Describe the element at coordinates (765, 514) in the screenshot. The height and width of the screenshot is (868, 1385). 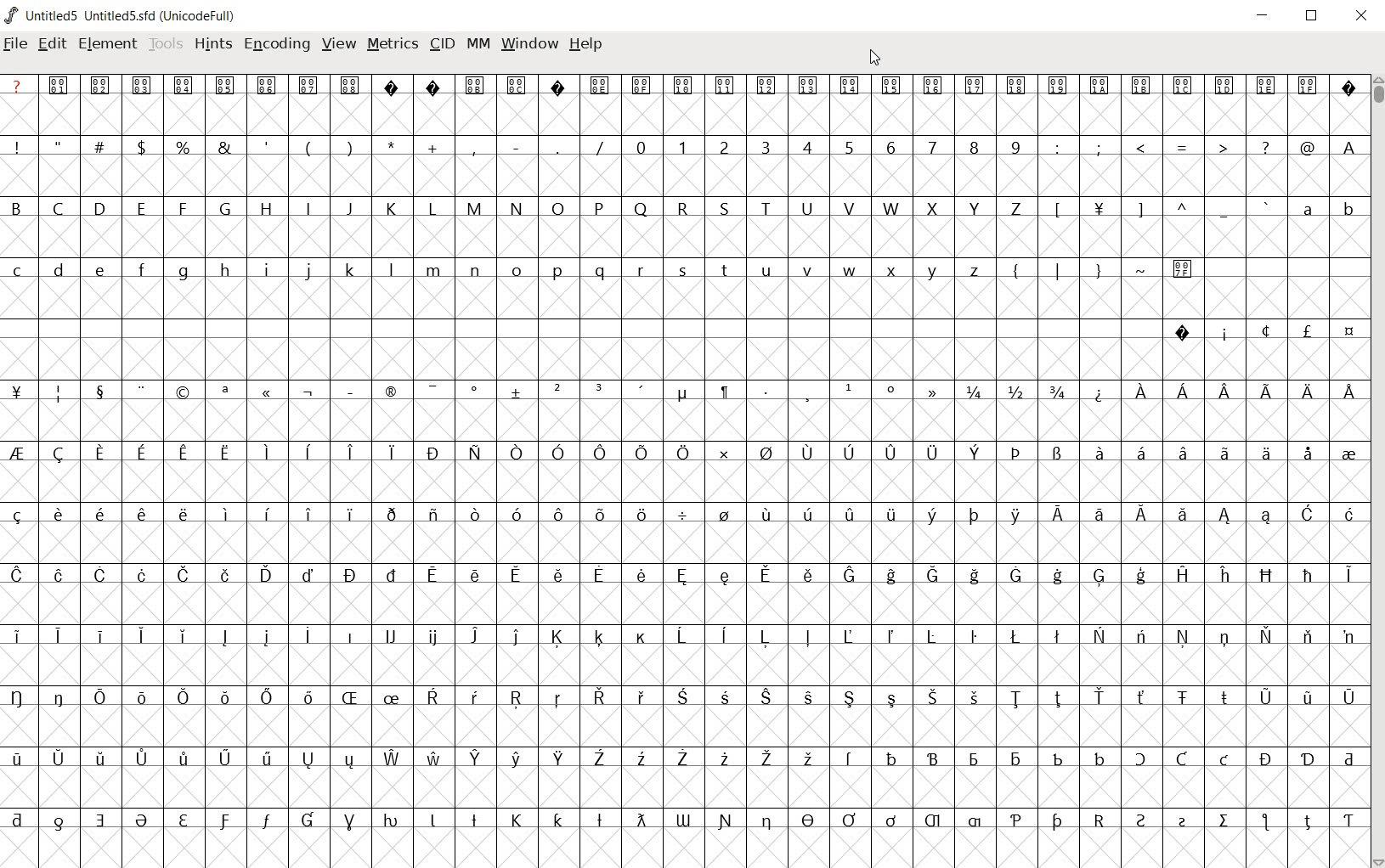
I see `Symbol` at that location.